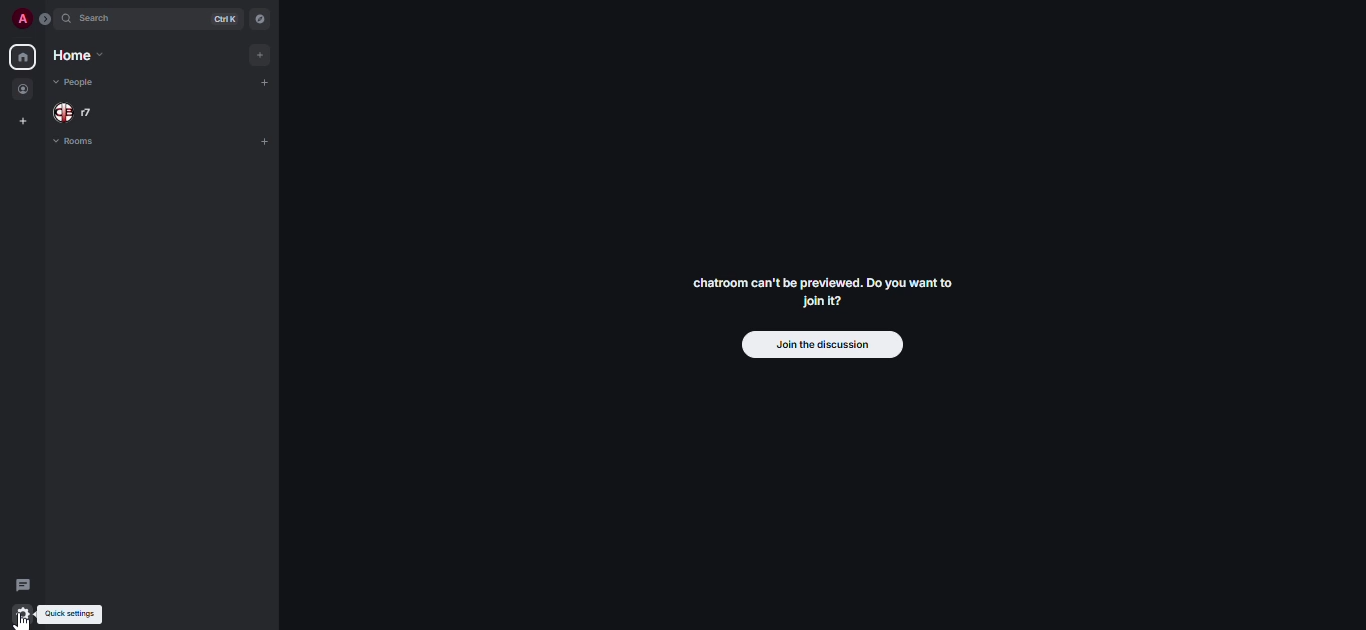 Image resolution: width=1366 pixels, height=630 pixels. What do you see at coordinates (24, 90) in the screenshot?
I see `people` at bounding box center [24, 90].